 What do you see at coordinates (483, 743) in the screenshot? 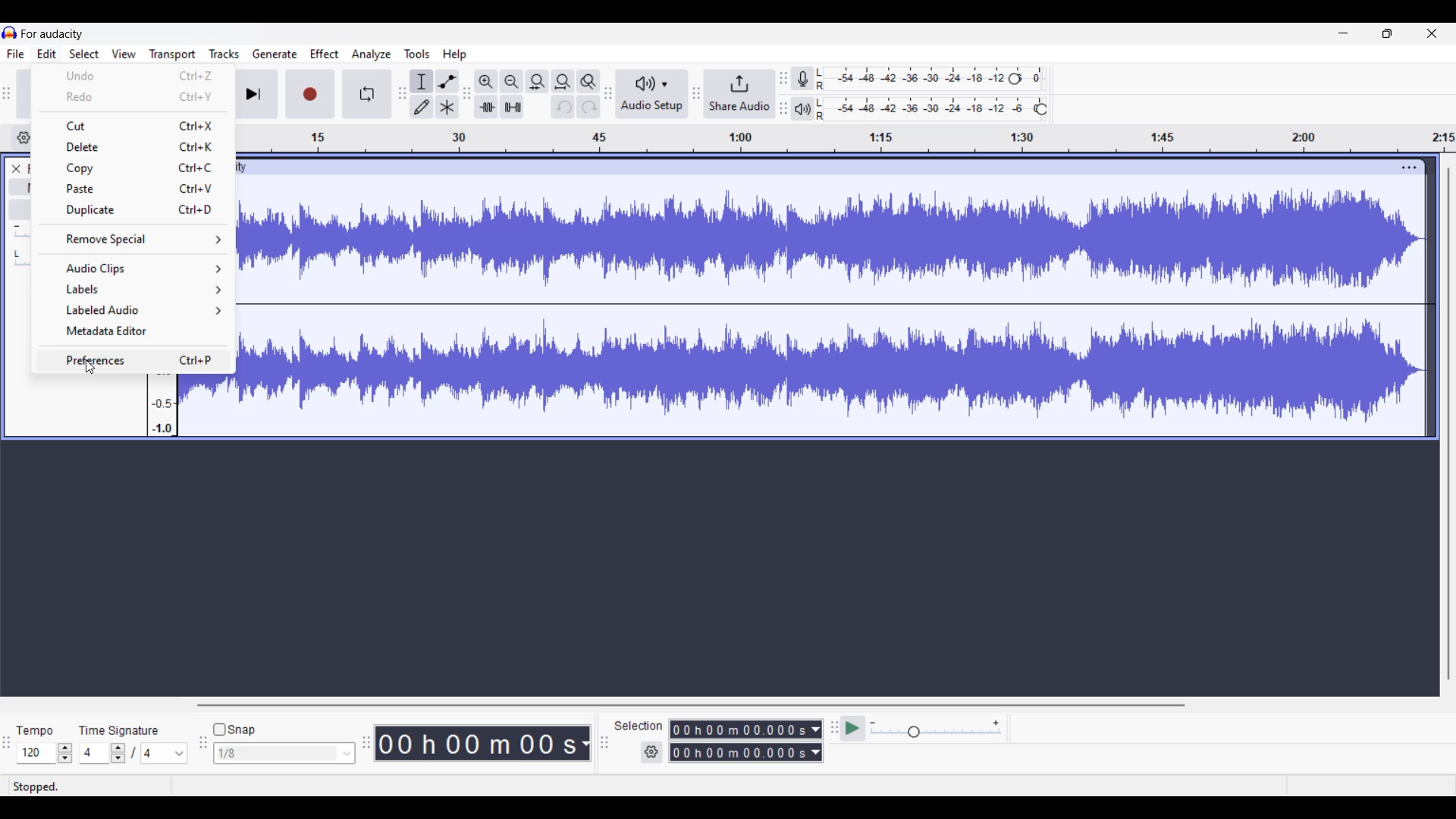
I see `Current timestamp of track` at bounding box center [483, 743].